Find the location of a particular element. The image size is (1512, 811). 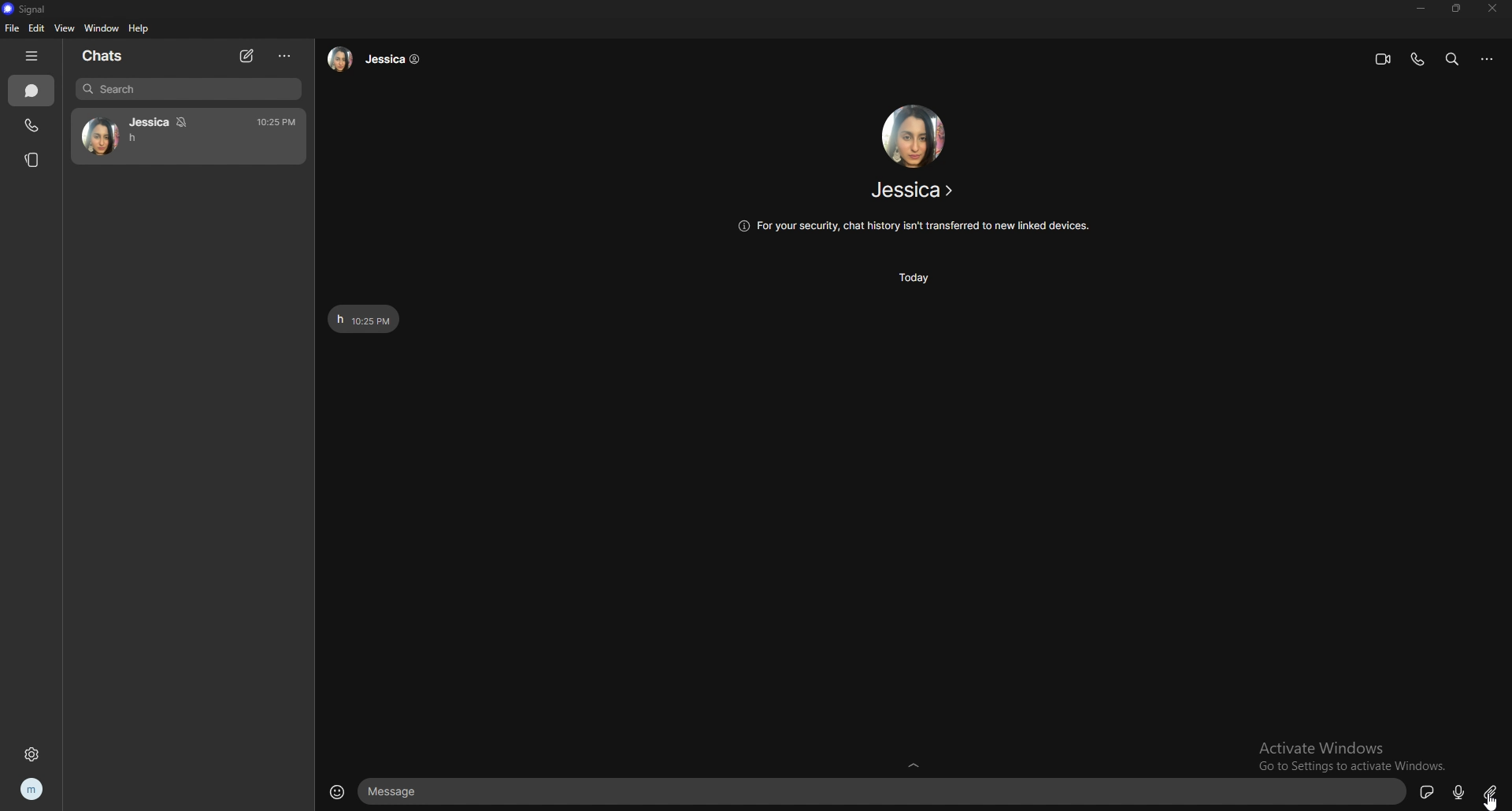

new chat is located at coordinates (246, 57).